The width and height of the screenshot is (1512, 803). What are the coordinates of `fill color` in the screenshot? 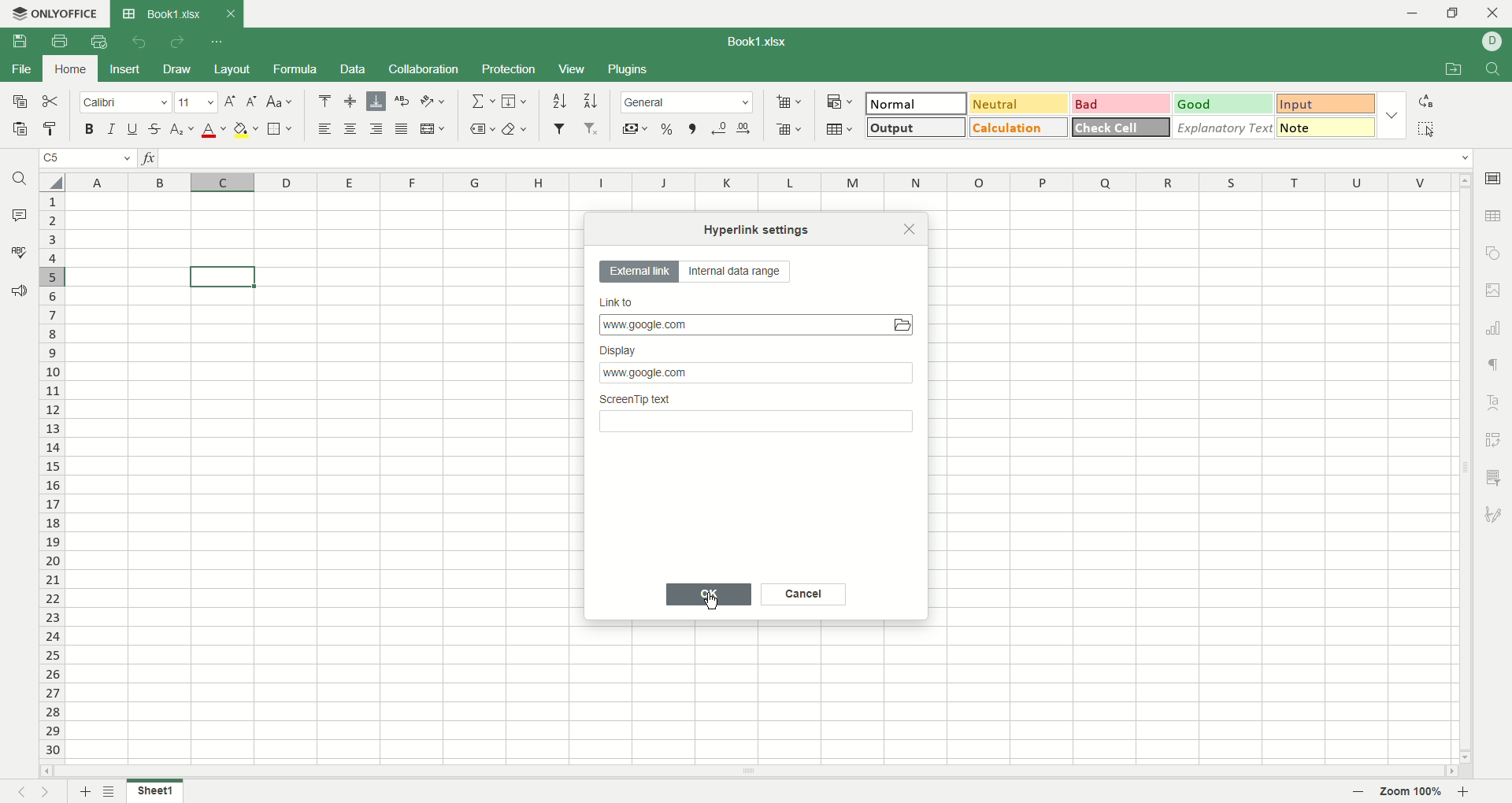 It's located at (246, 130).